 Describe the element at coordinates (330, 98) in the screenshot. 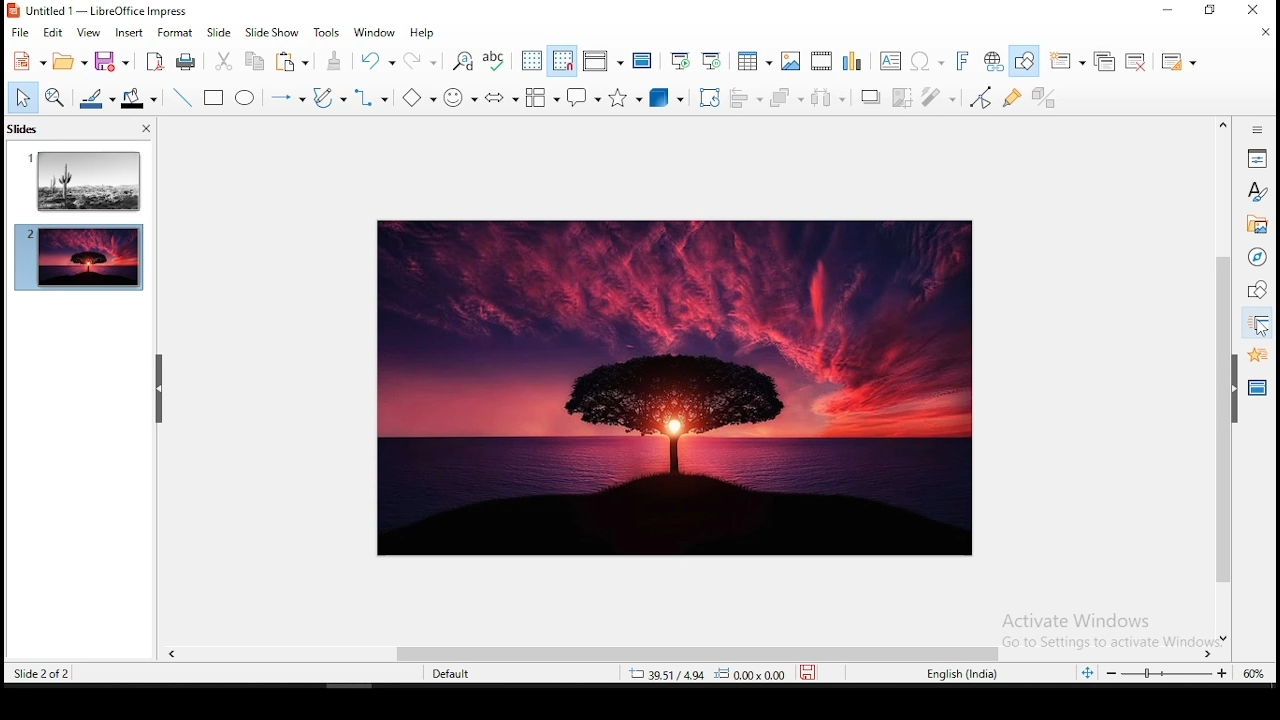

I see `curves and polygons` at that location.